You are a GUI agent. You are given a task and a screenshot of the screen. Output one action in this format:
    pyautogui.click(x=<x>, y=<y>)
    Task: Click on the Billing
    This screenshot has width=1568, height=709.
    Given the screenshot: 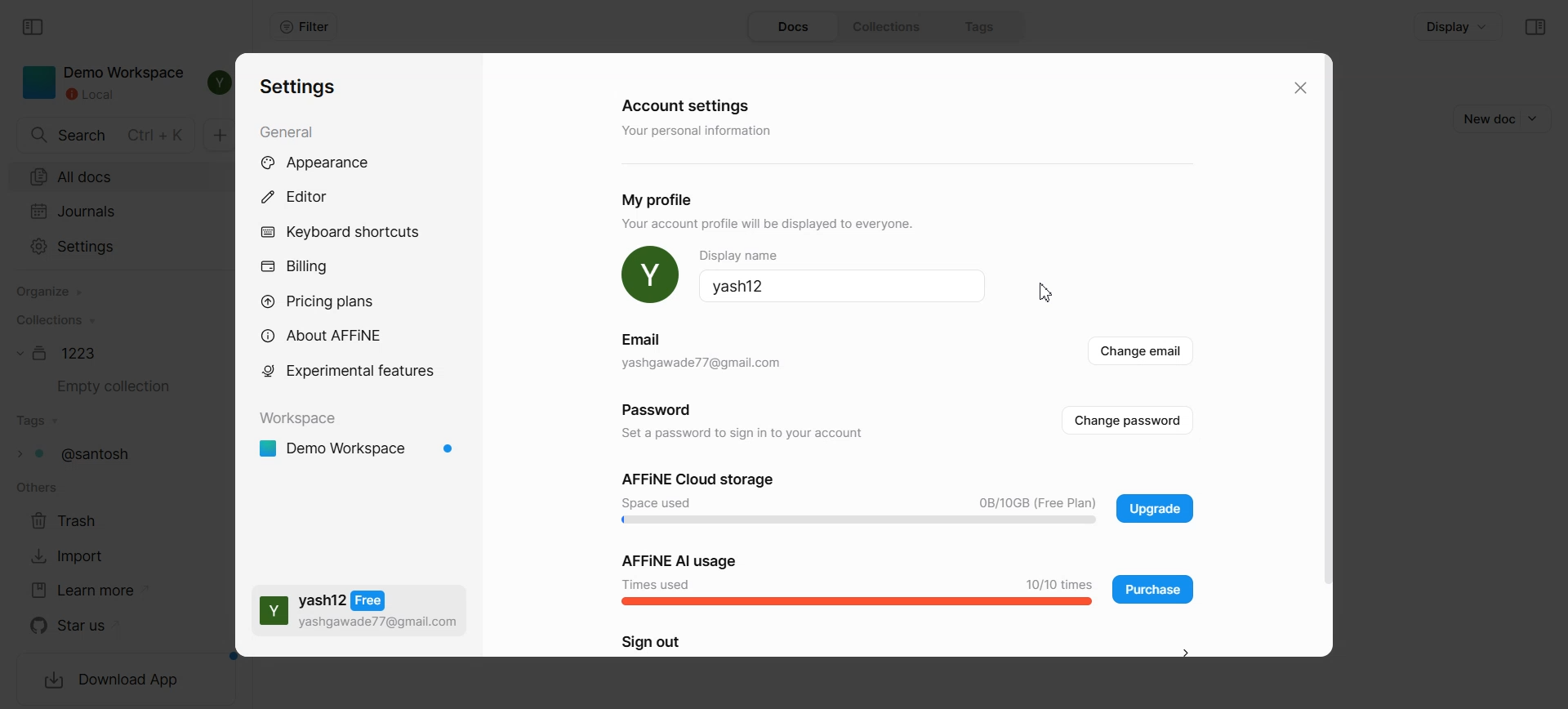 What is the action you would take?
    pyautogui.click(x=294, y=268)
    